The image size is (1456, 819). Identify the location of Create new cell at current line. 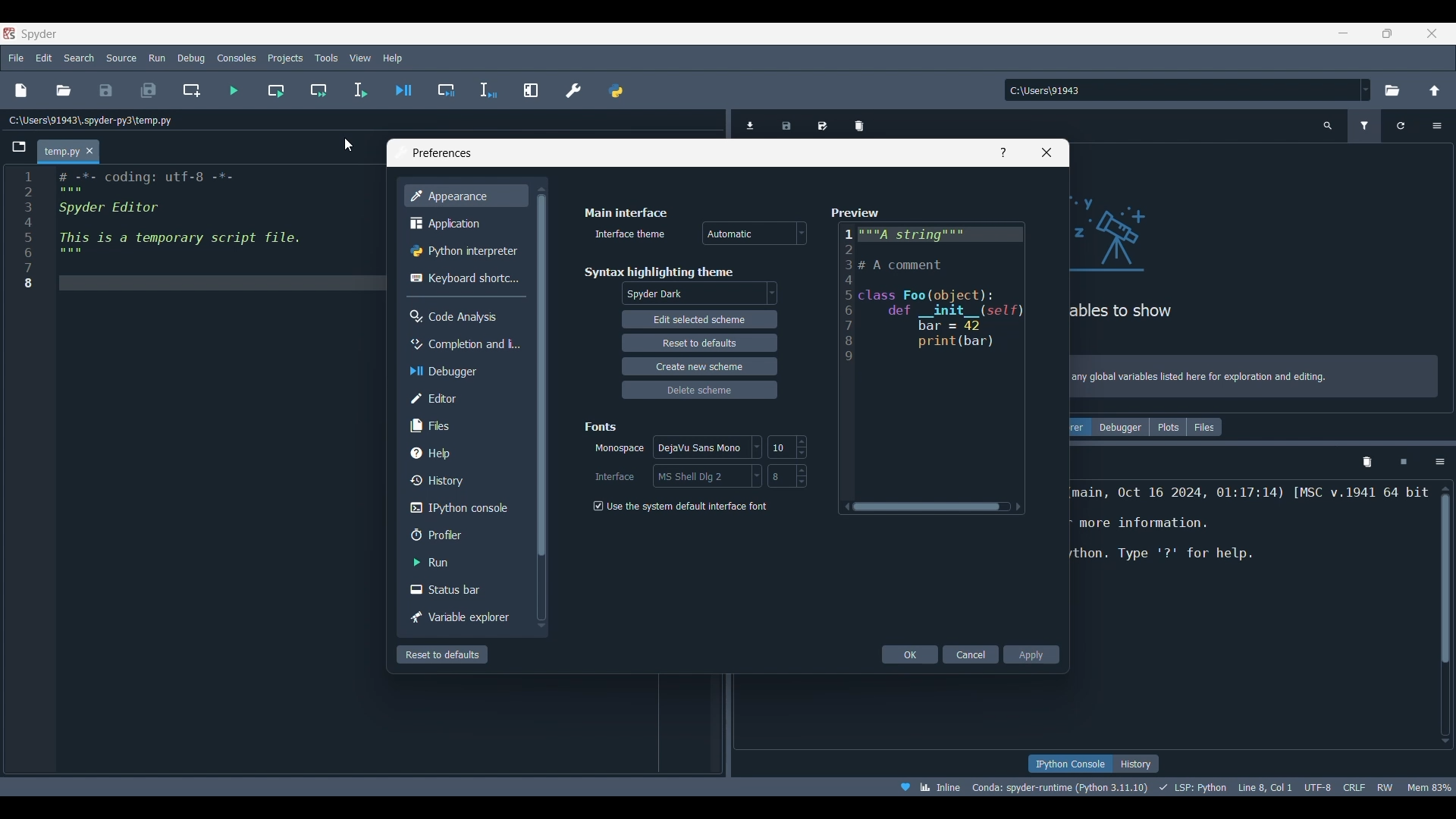
(191, 91).